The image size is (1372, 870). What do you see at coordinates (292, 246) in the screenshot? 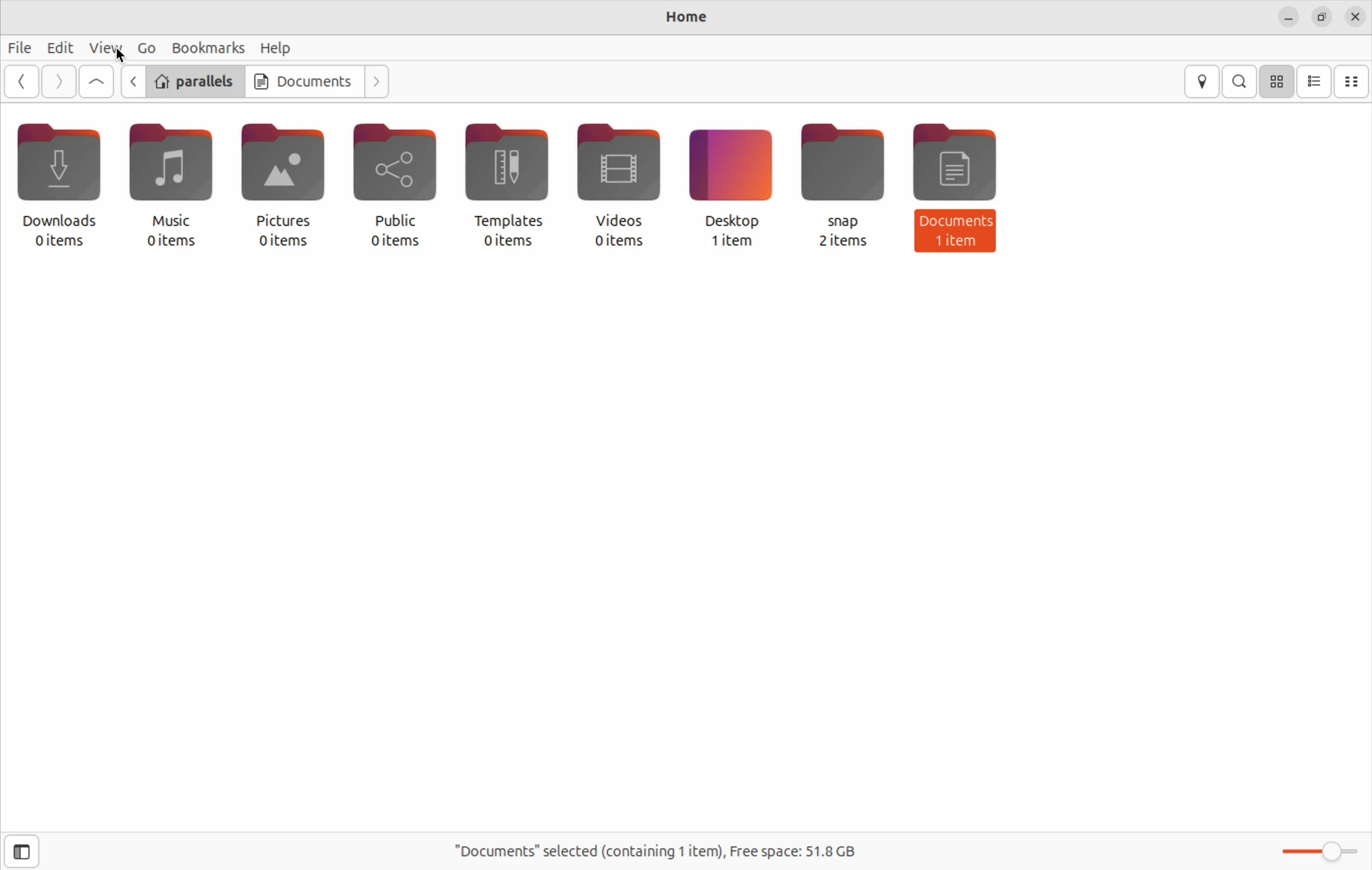
I see `0 items` at bounding box center [292, 246].